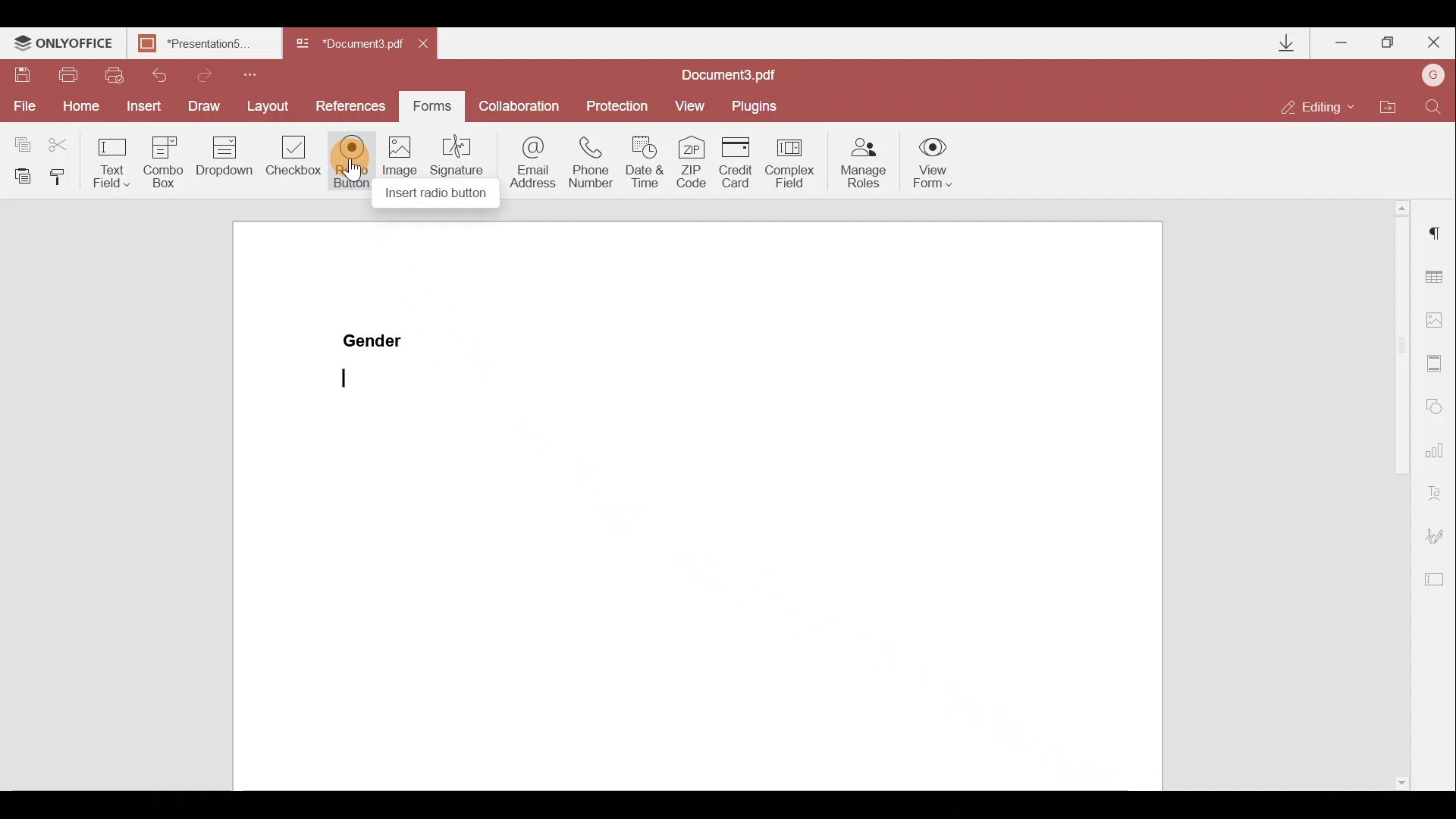 The width and height of the screenshot is (1456, 819). What do you see at coordinates (1434, 104) in the screenshot?
I see `Find` at bounding box center [1434, 104].